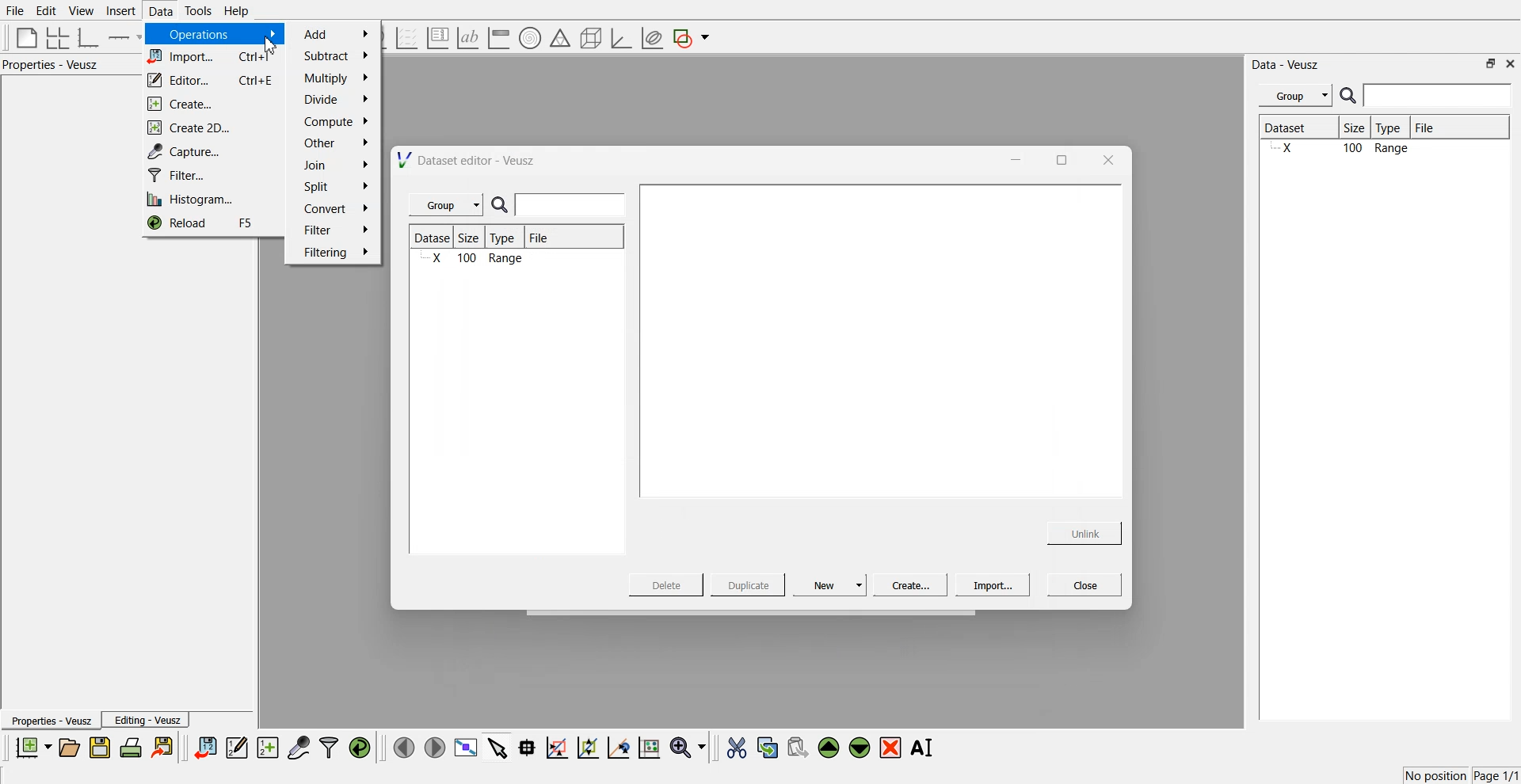  I want to click on Create 2D..., so click(212, 127).